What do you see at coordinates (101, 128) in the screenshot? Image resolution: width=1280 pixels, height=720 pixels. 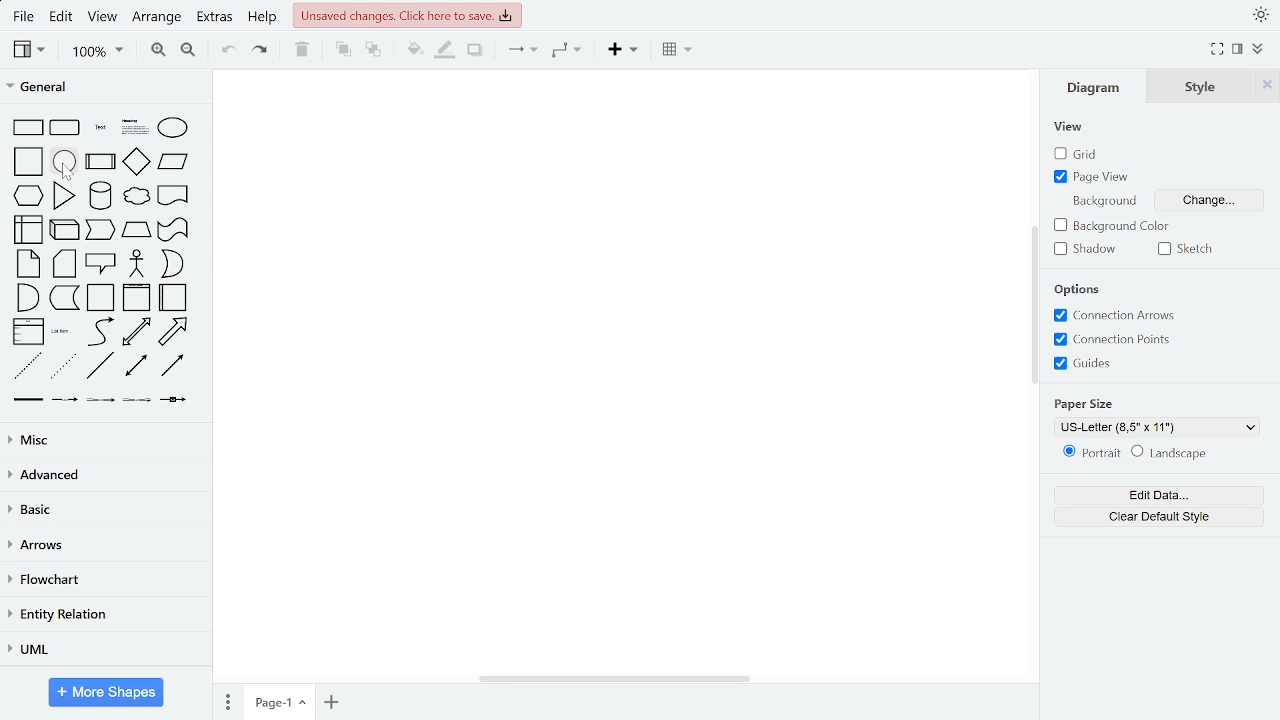 I see `text` at bounding box center [101, 128].